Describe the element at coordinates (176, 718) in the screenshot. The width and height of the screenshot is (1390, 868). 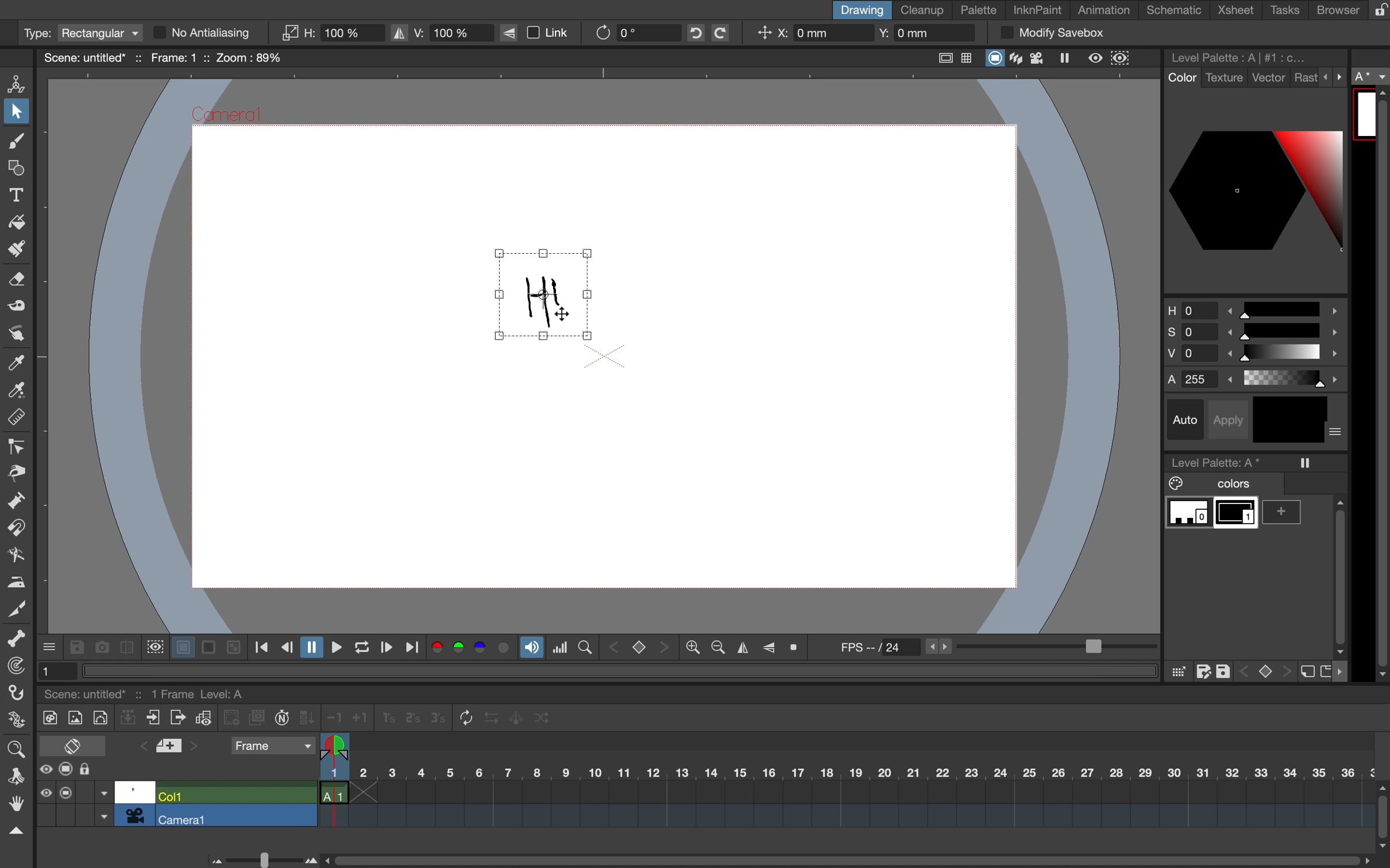
I see `open x subsheet` at that location.